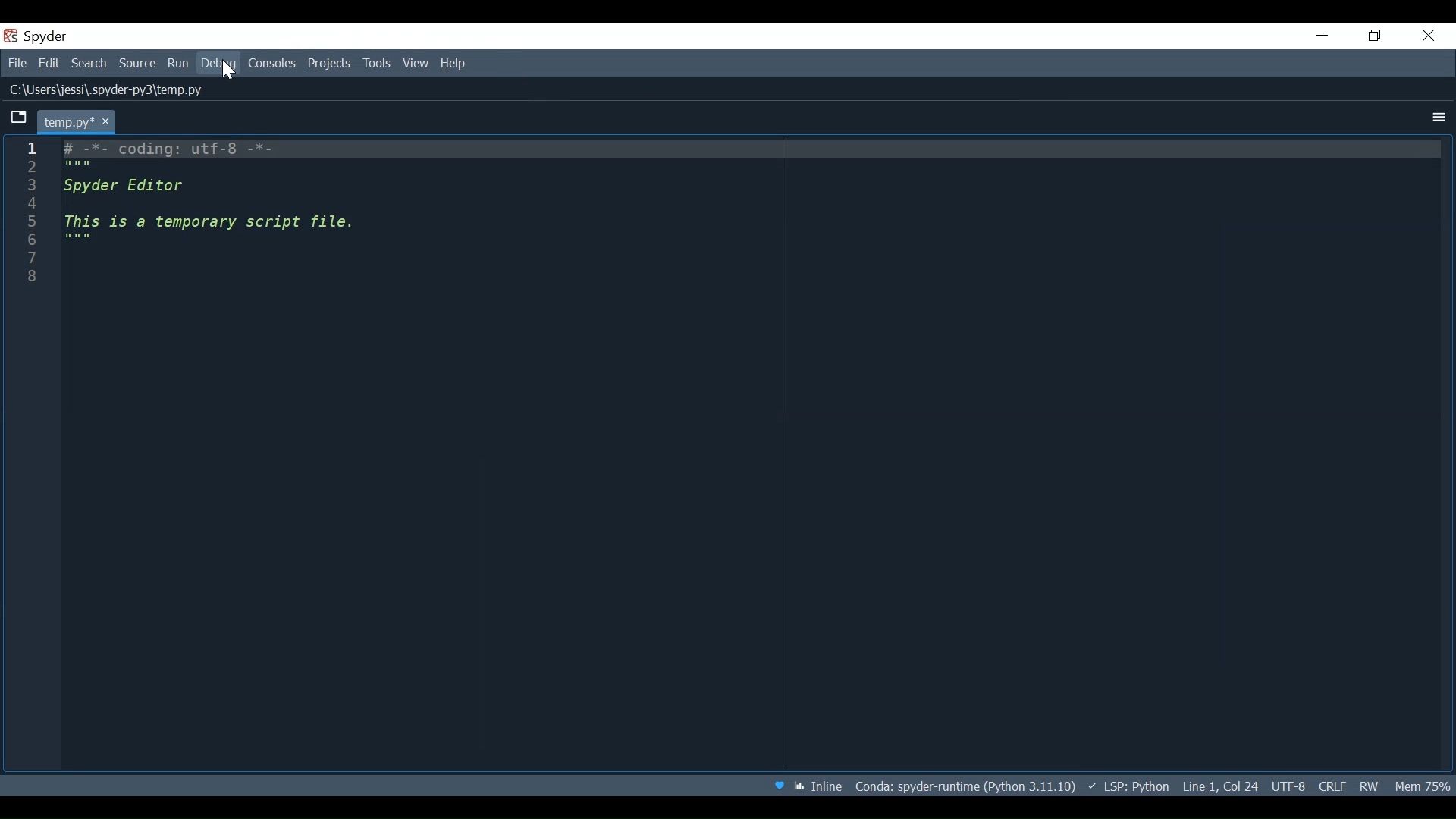  What do you see at coordinates (964, 785) in the screenshot?
I see `File Path` at bounding box center [964, 785].